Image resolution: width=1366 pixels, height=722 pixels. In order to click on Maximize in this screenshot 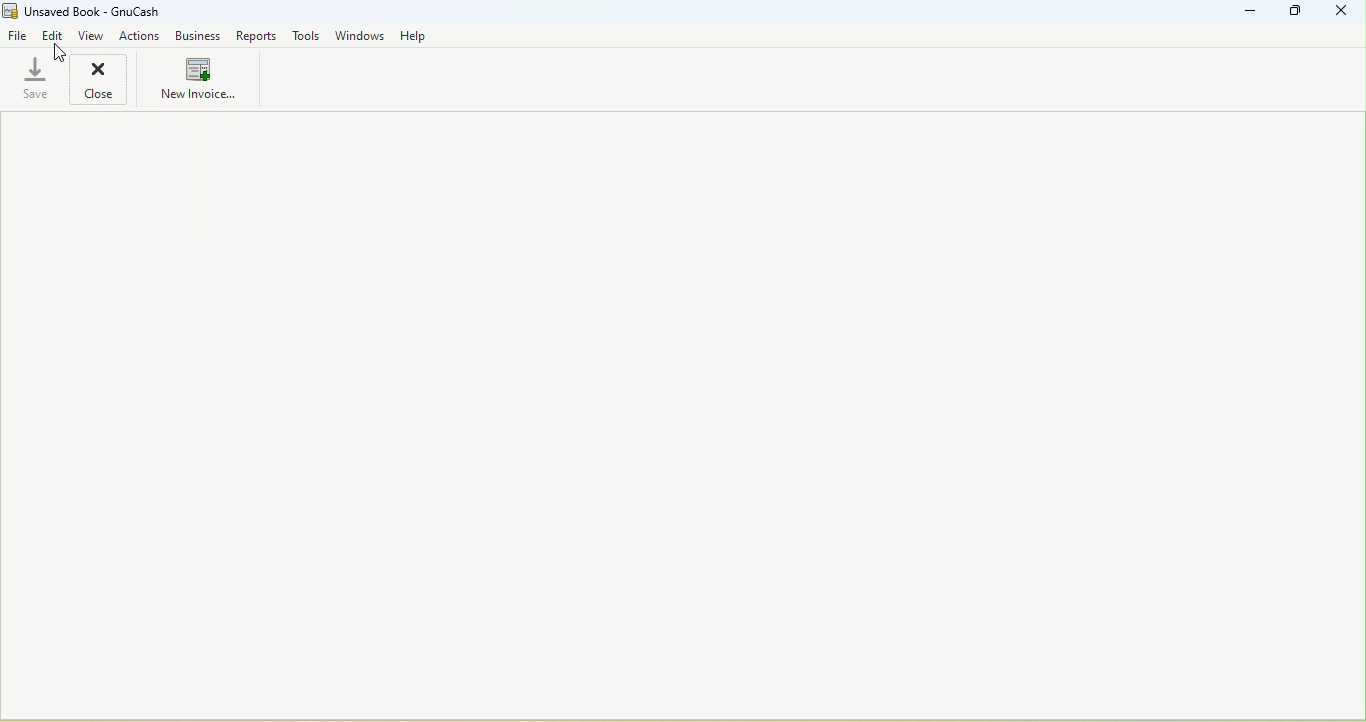, I will do `click(1295, 13)`.